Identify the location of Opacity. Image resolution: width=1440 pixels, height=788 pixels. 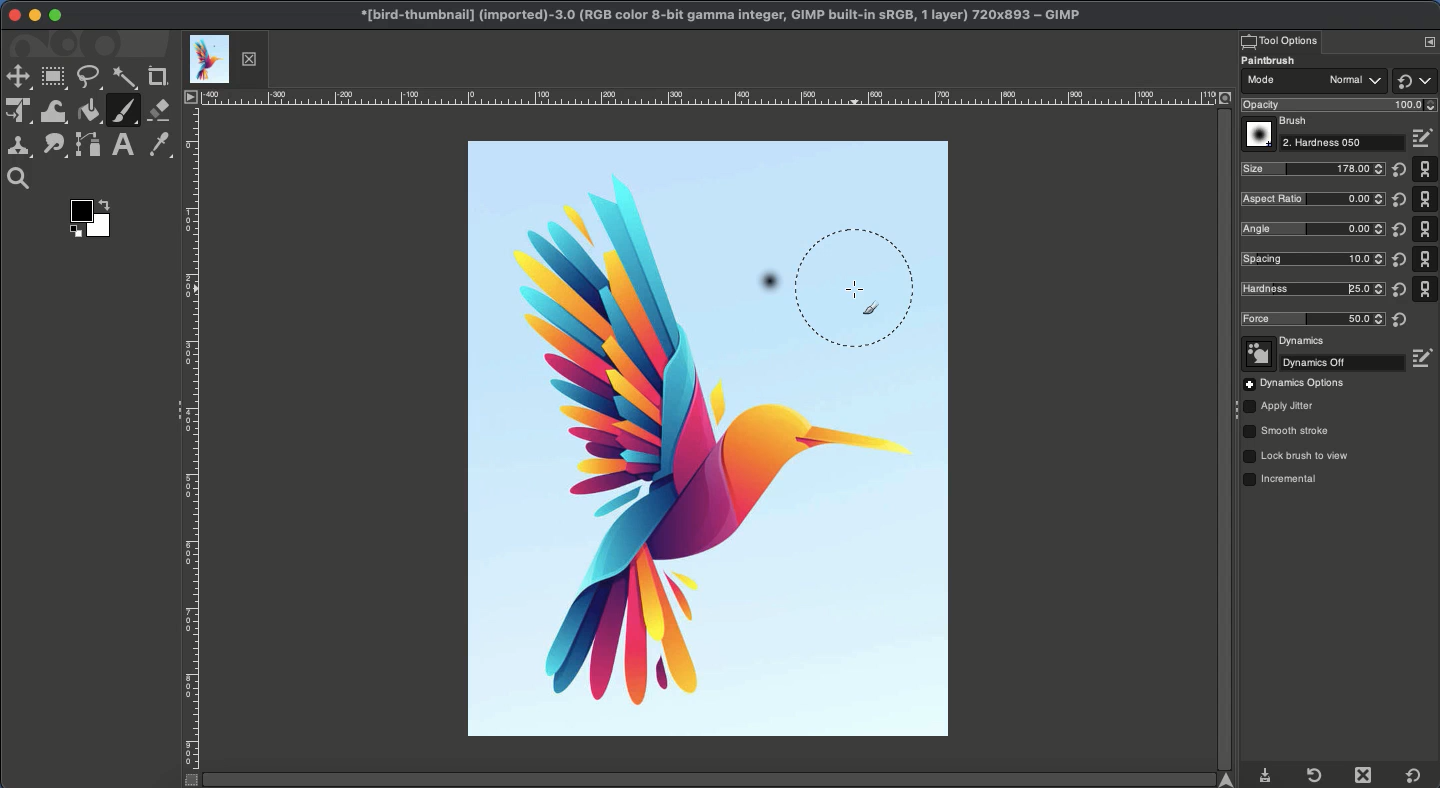
(1336, 105).